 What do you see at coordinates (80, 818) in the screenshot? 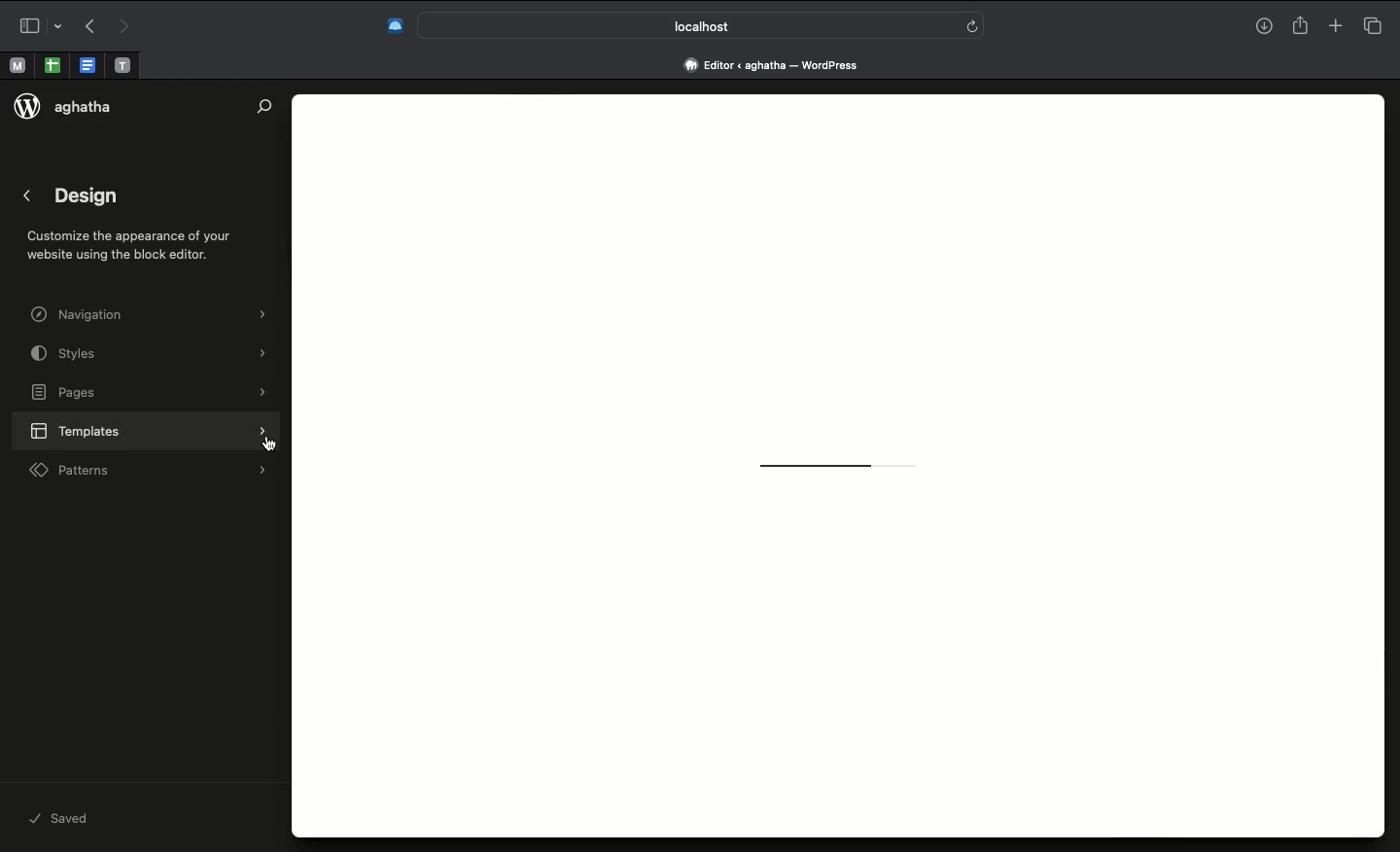
I see `Saved` at bounding box center [80, 818].